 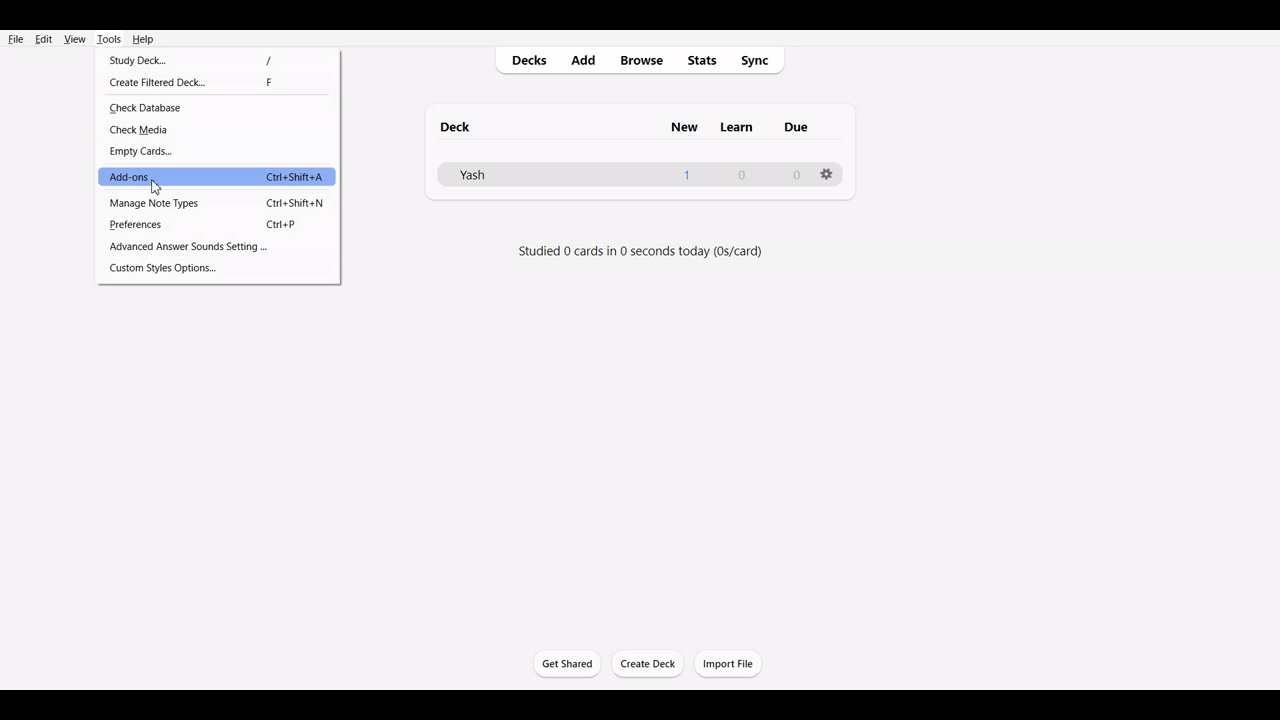 I want to click on Decks, so click(x=525, y=61).